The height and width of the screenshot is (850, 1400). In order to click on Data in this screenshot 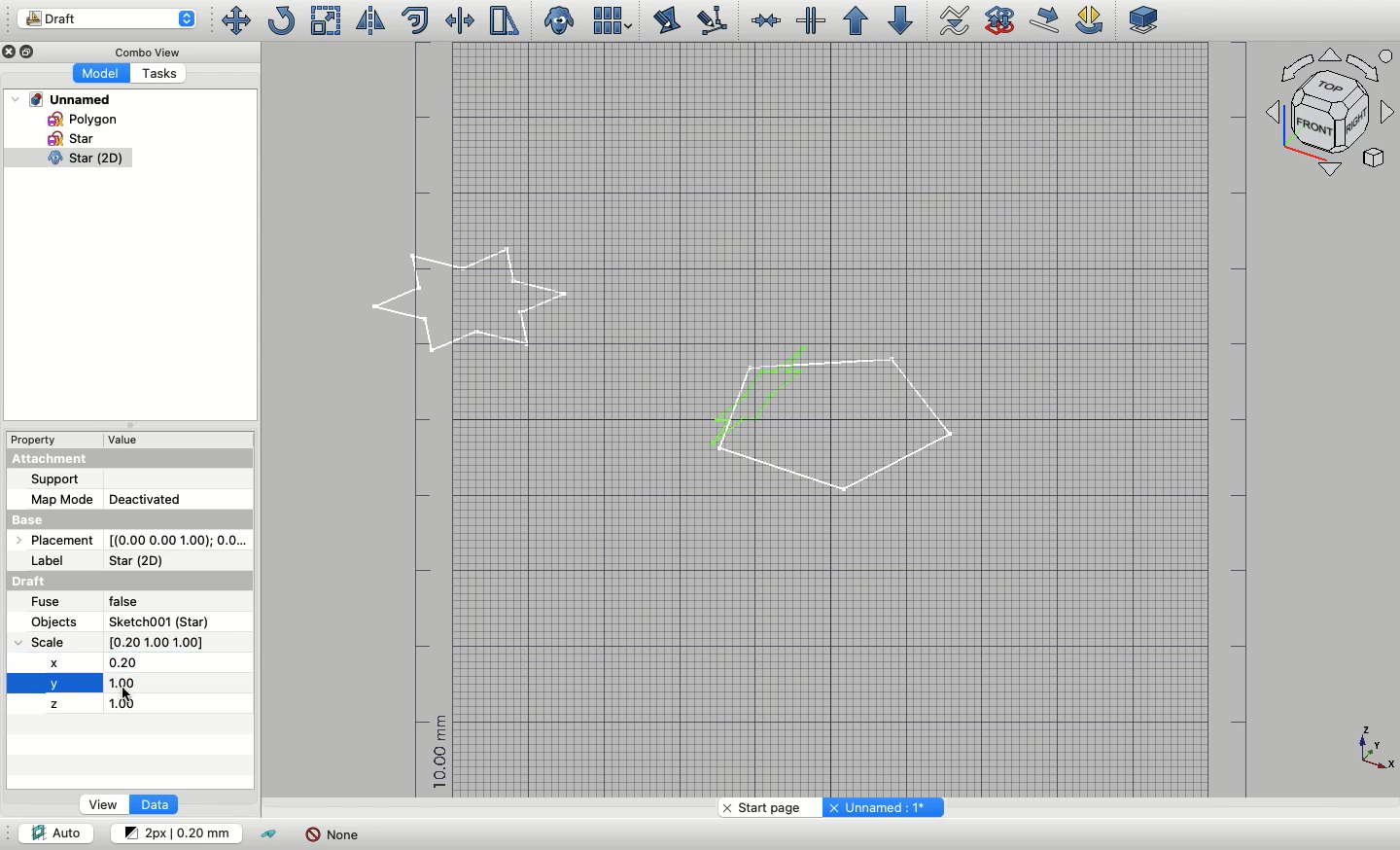, I will do `click(153, 804)`.